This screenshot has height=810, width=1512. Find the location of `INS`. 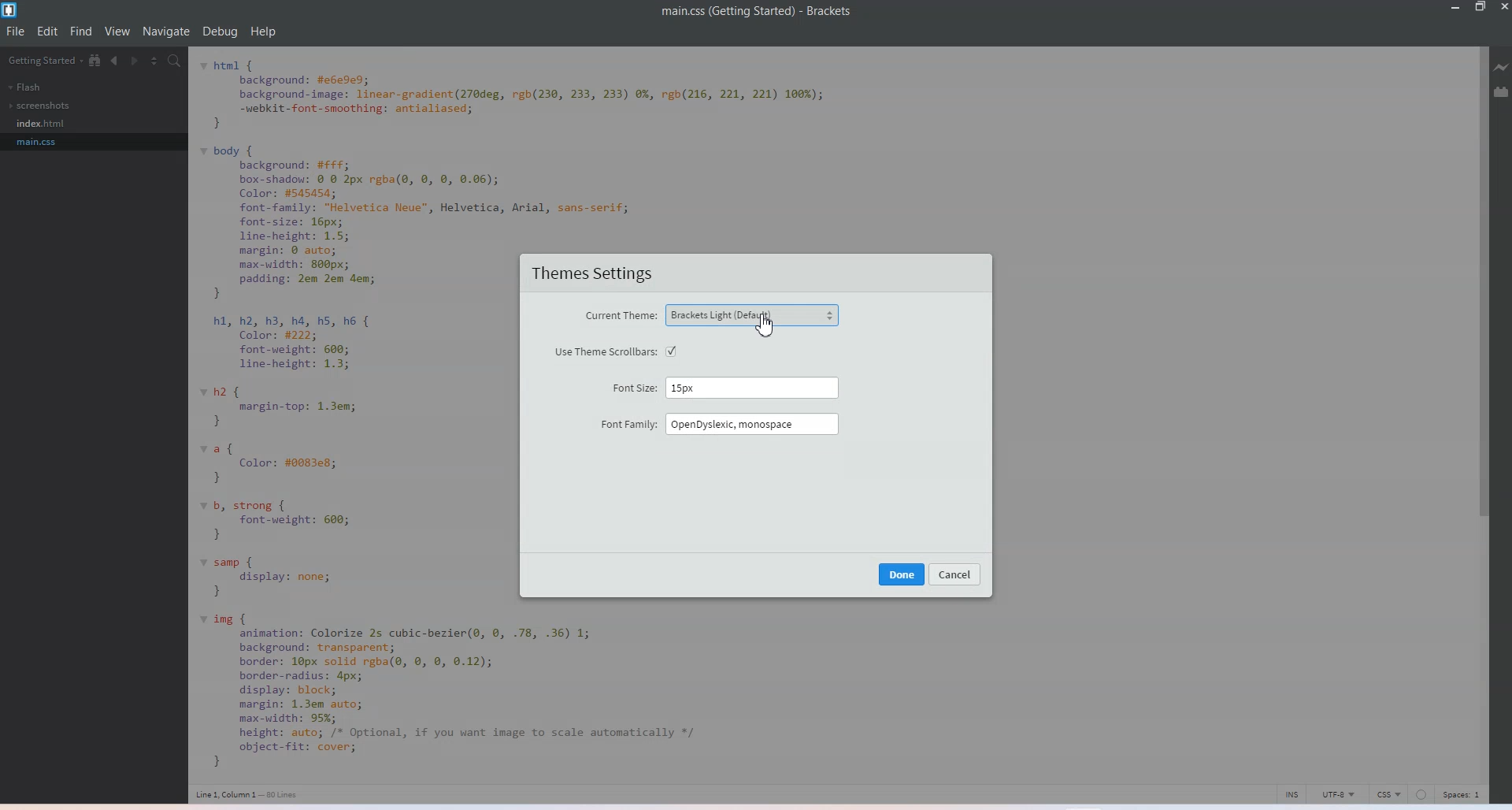

INS is located at coordinates (1292, 793).